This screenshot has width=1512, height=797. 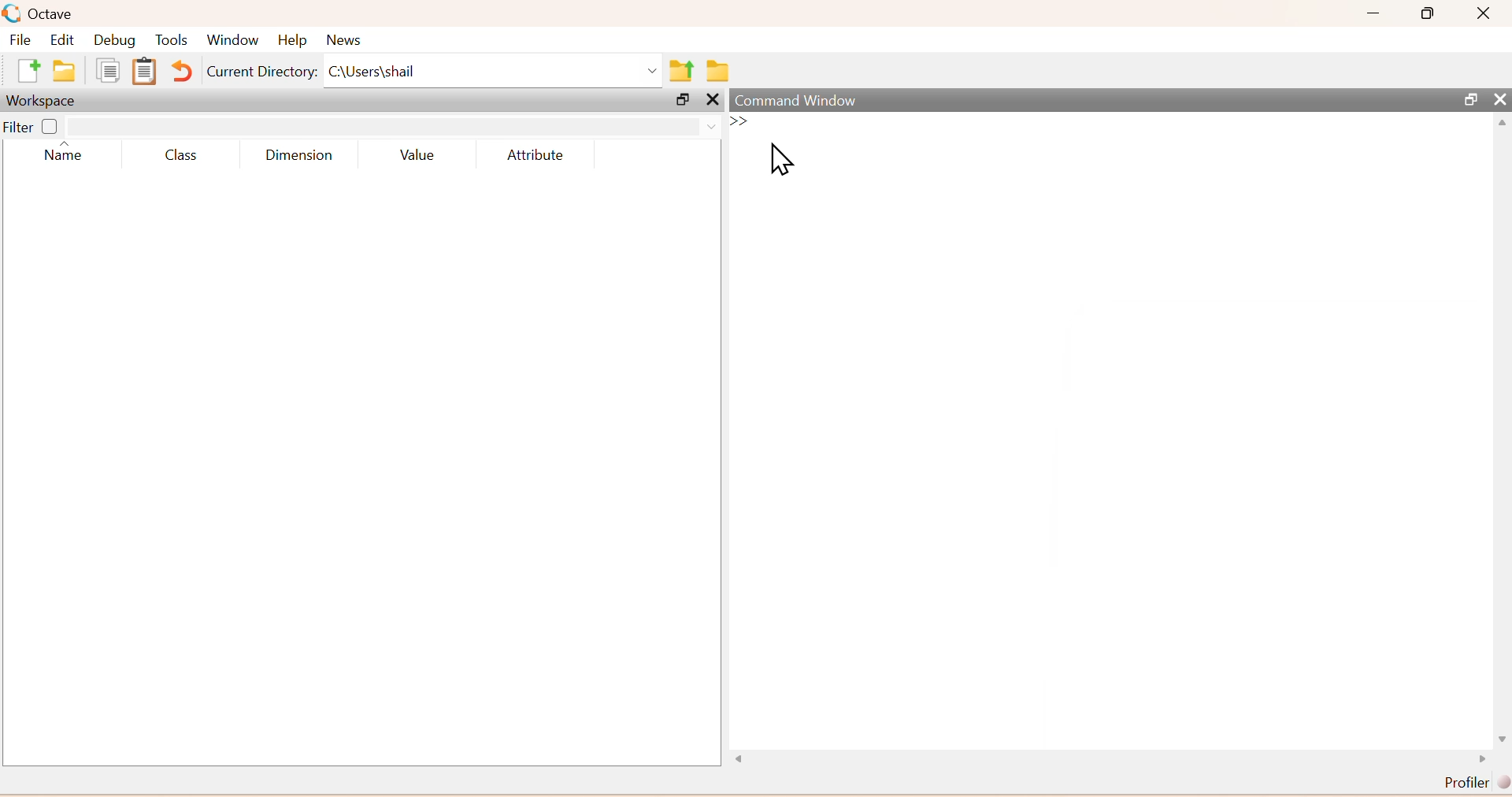 I want to click on scroll down, so click(x=1498, y=737).